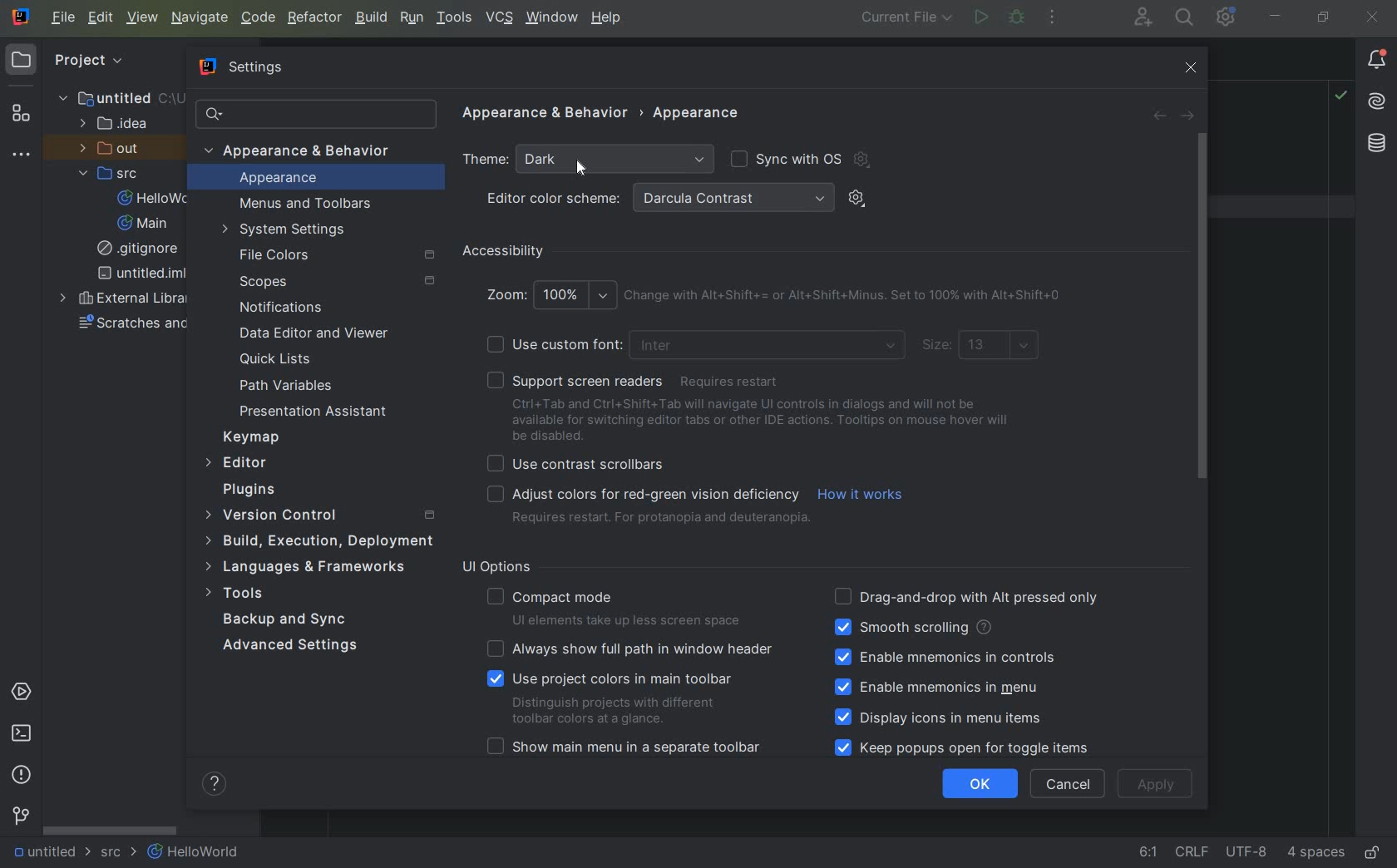 This screenshot has height=868, width=1397. What do you see at coordinates (1195, 854) in the screenshot?
I see `line separator` at bounding box center [1195, 854].